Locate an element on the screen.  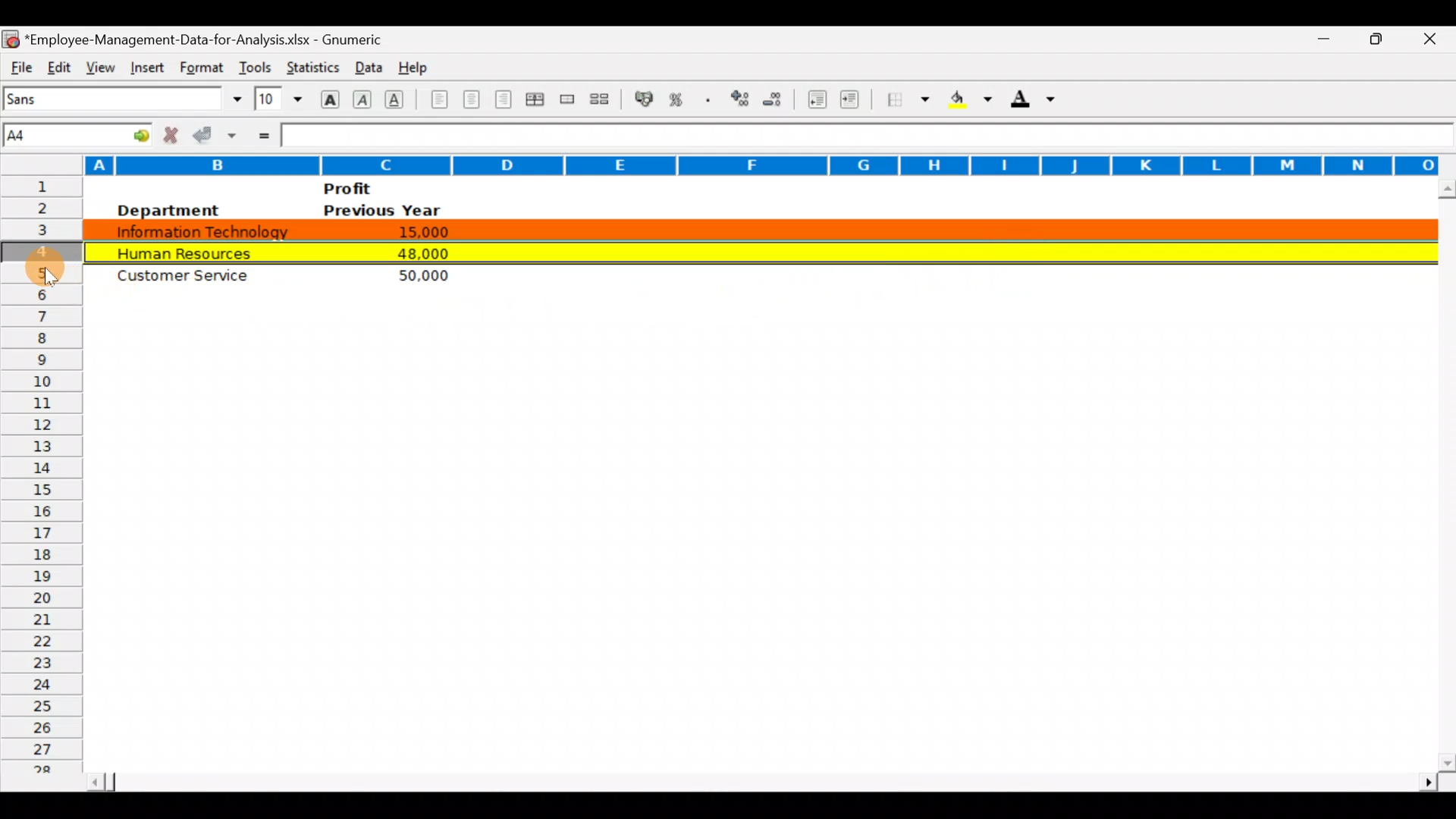
File is located at coordinates (20, 65).